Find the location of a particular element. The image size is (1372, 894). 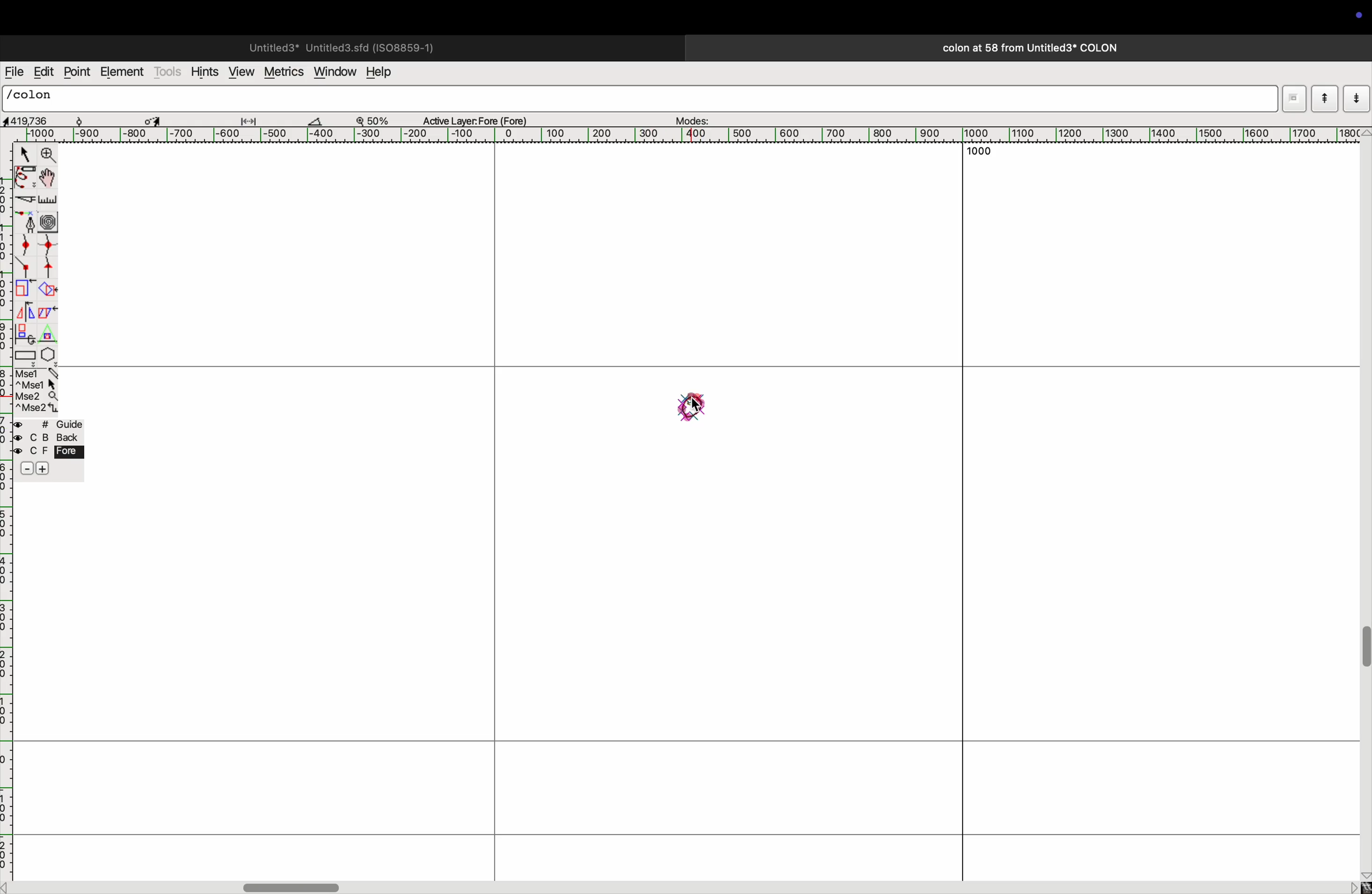

extract is located at coordinates (47, 290).